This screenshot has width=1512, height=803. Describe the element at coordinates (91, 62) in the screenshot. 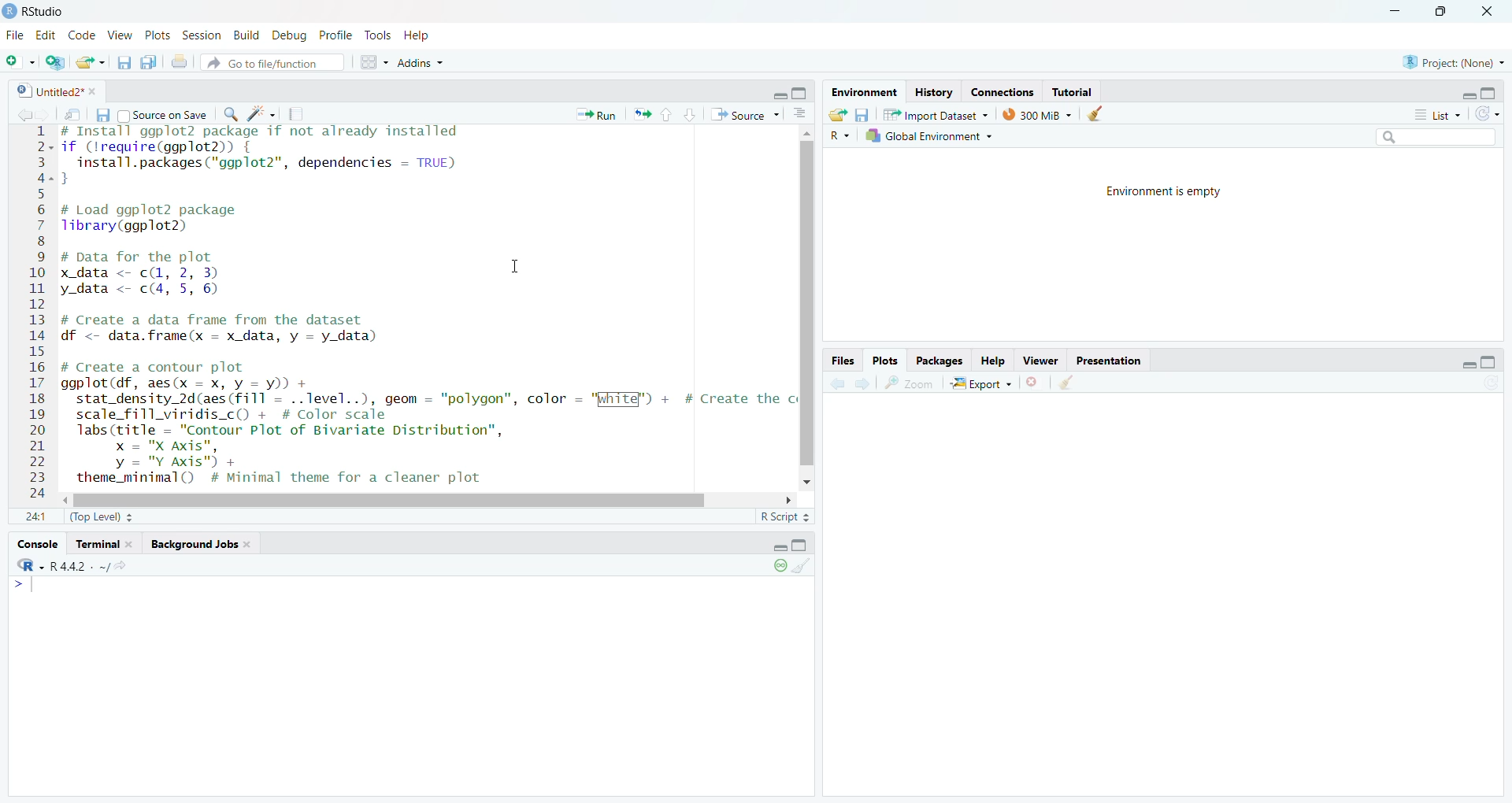

I see `open an existing file` at that location.